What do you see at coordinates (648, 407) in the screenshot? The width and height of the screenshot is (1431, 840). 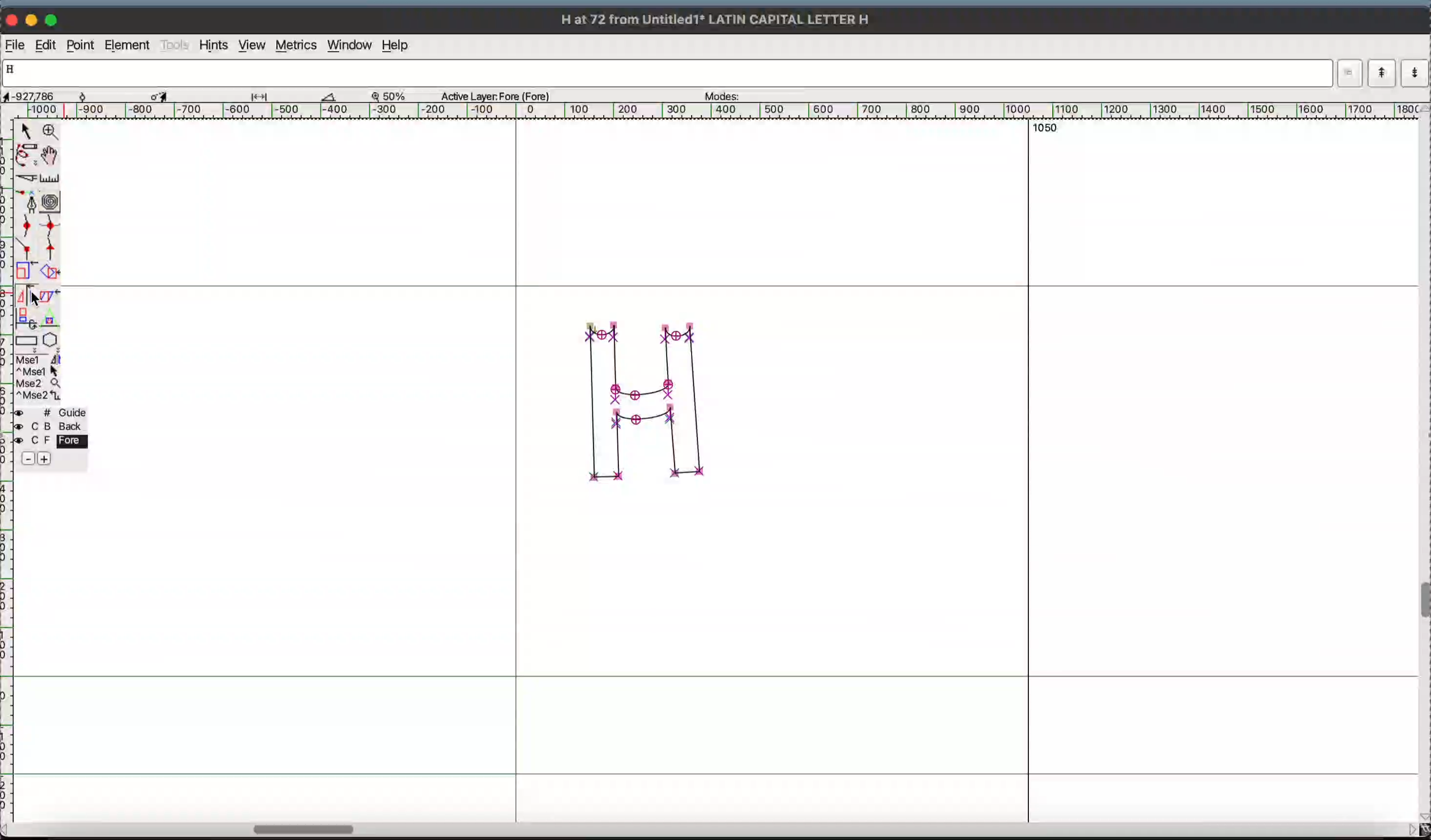 I see `glyph "H"` at bounding box center [648, 407].